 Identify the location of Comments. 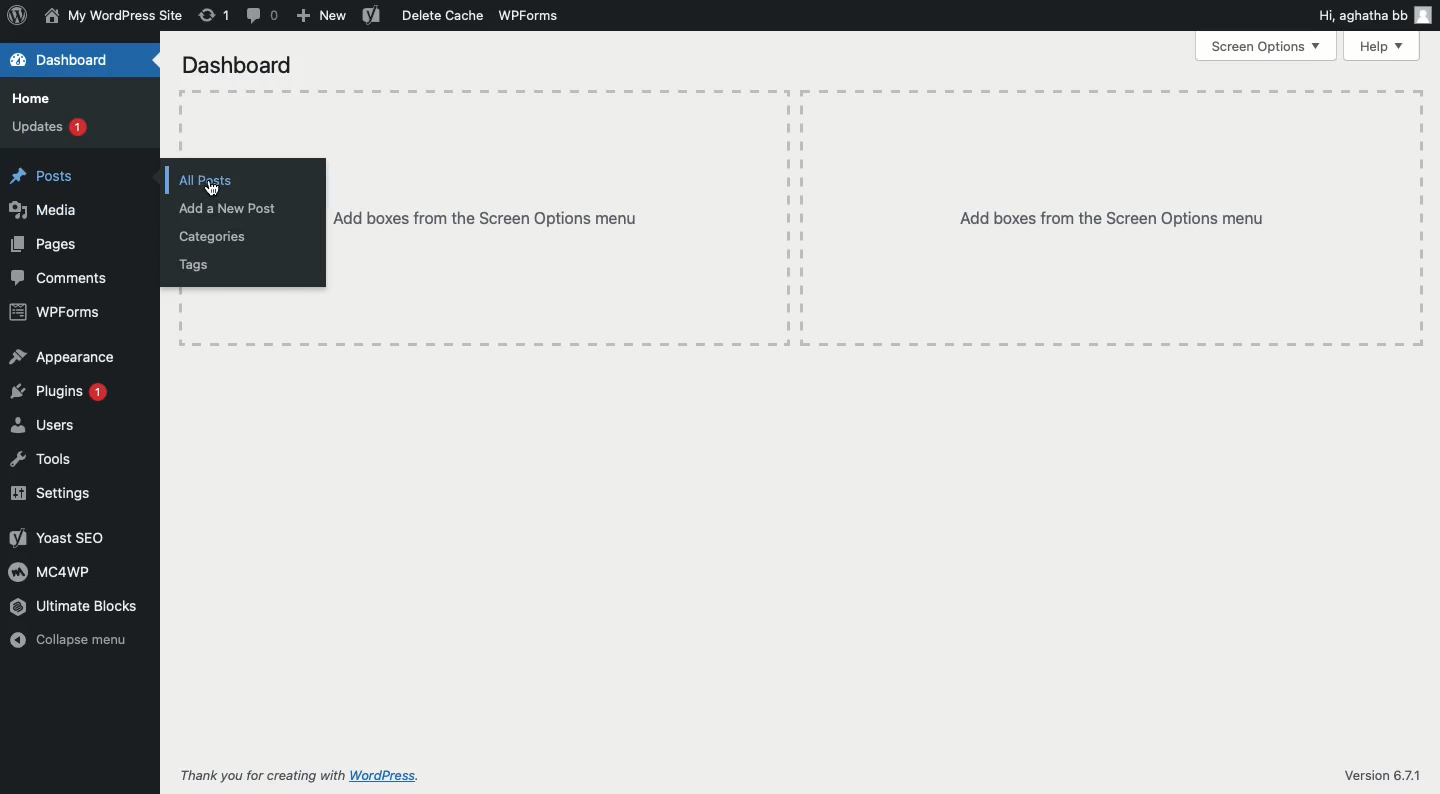
(66, 281).